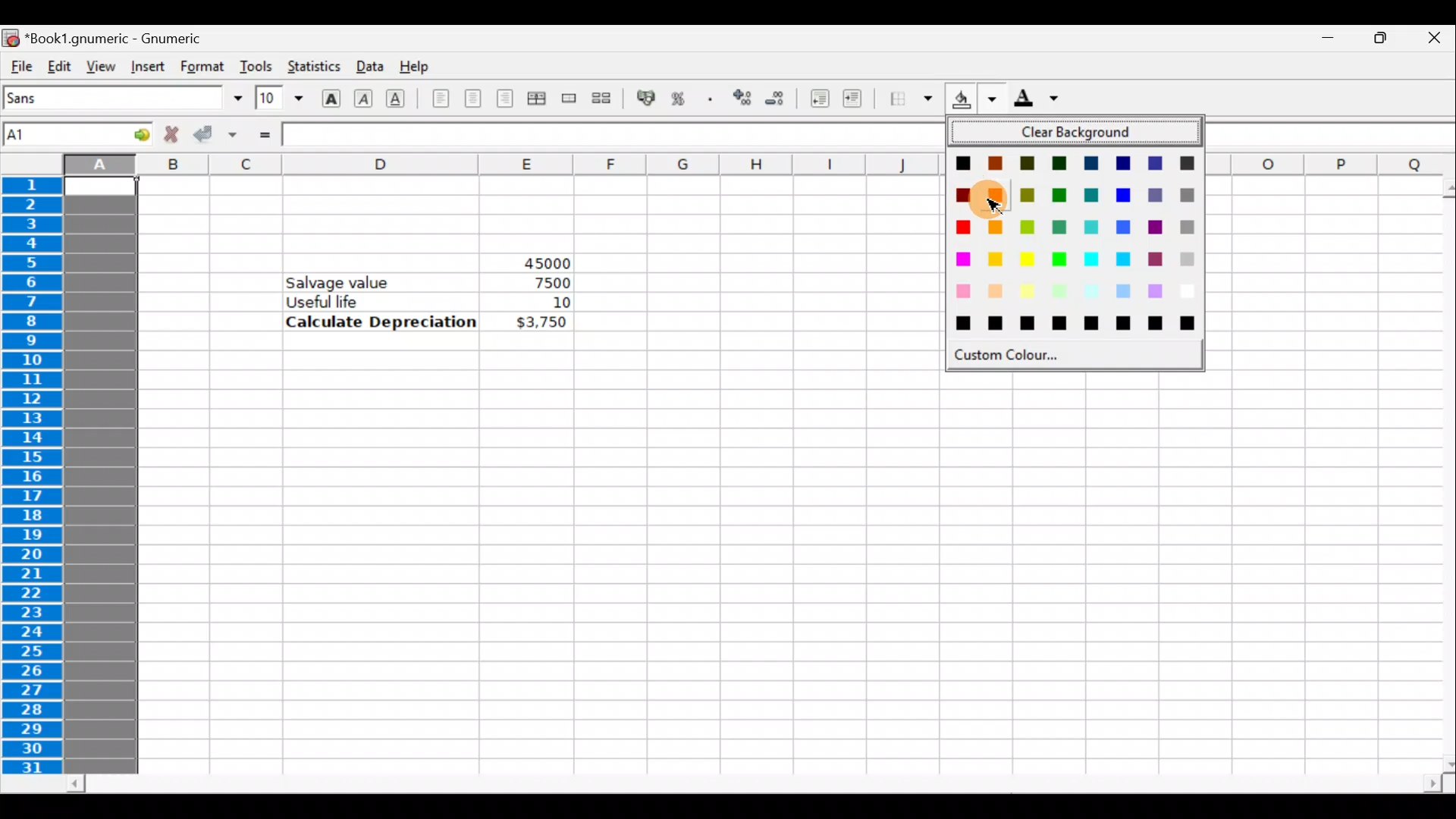 The image size is (1456, 819). What do you see at coordinates (610, 135) in the screenshot?
I see `Formula bar` at bounding box center [610, 135].